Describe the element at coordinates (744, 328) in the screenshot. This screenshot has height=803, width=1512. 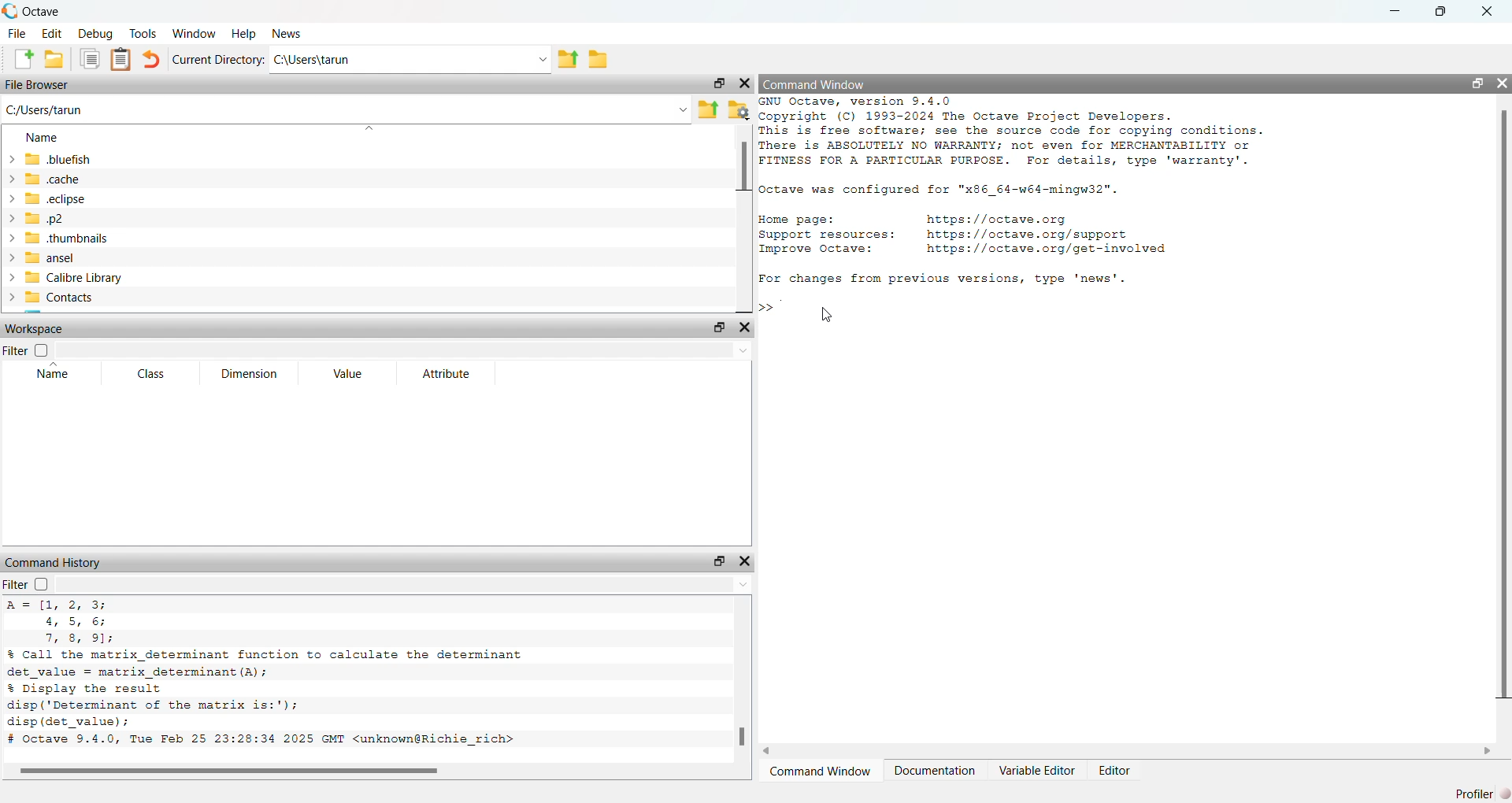
I see `close` at that location.